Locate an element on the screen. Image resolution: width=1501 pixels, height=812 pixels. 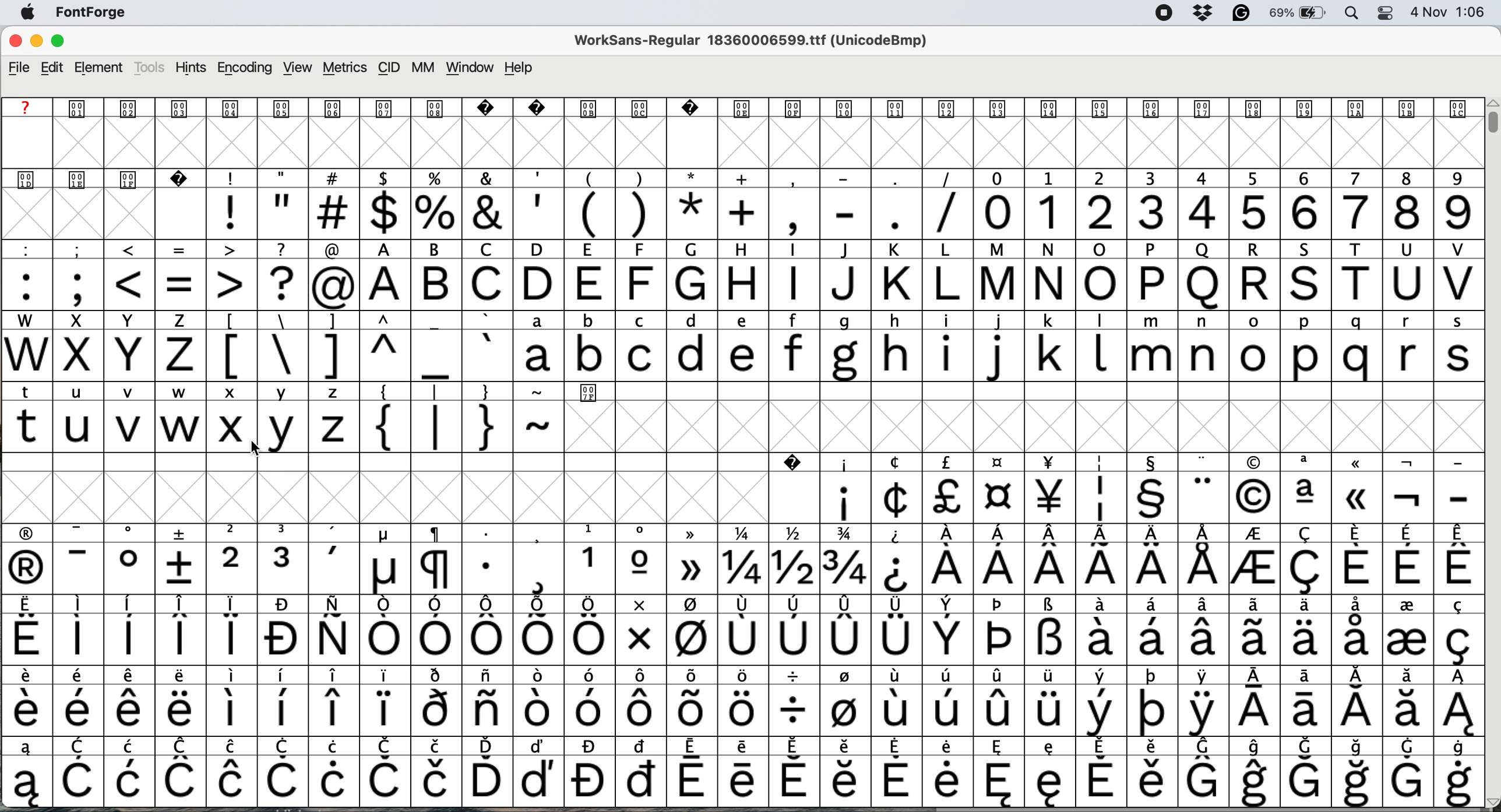
WorkSans-Regular 18360006599.ttf (UnicodeBmp) is located at coordinates (756, 43).